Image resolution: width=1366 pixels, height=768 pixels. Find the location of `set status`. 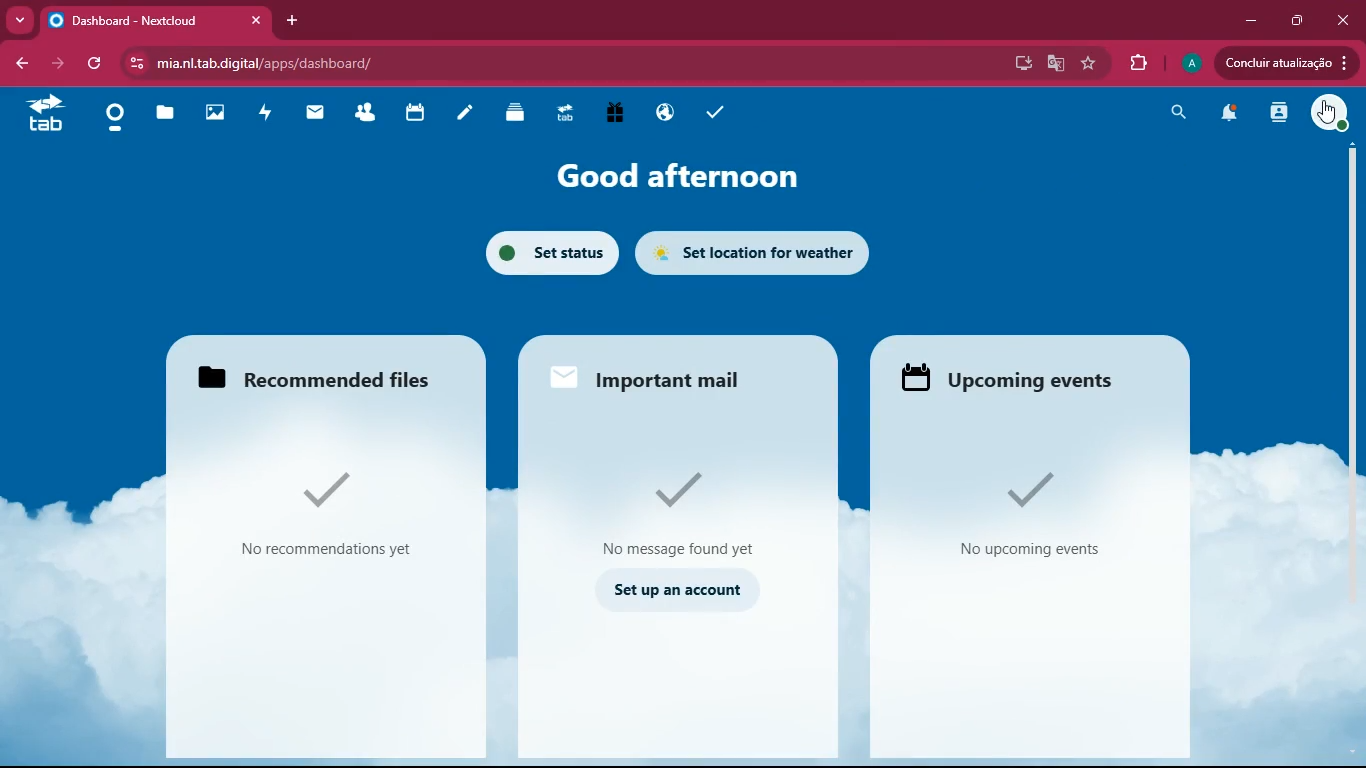

set status is located at coordinates (542, 252).